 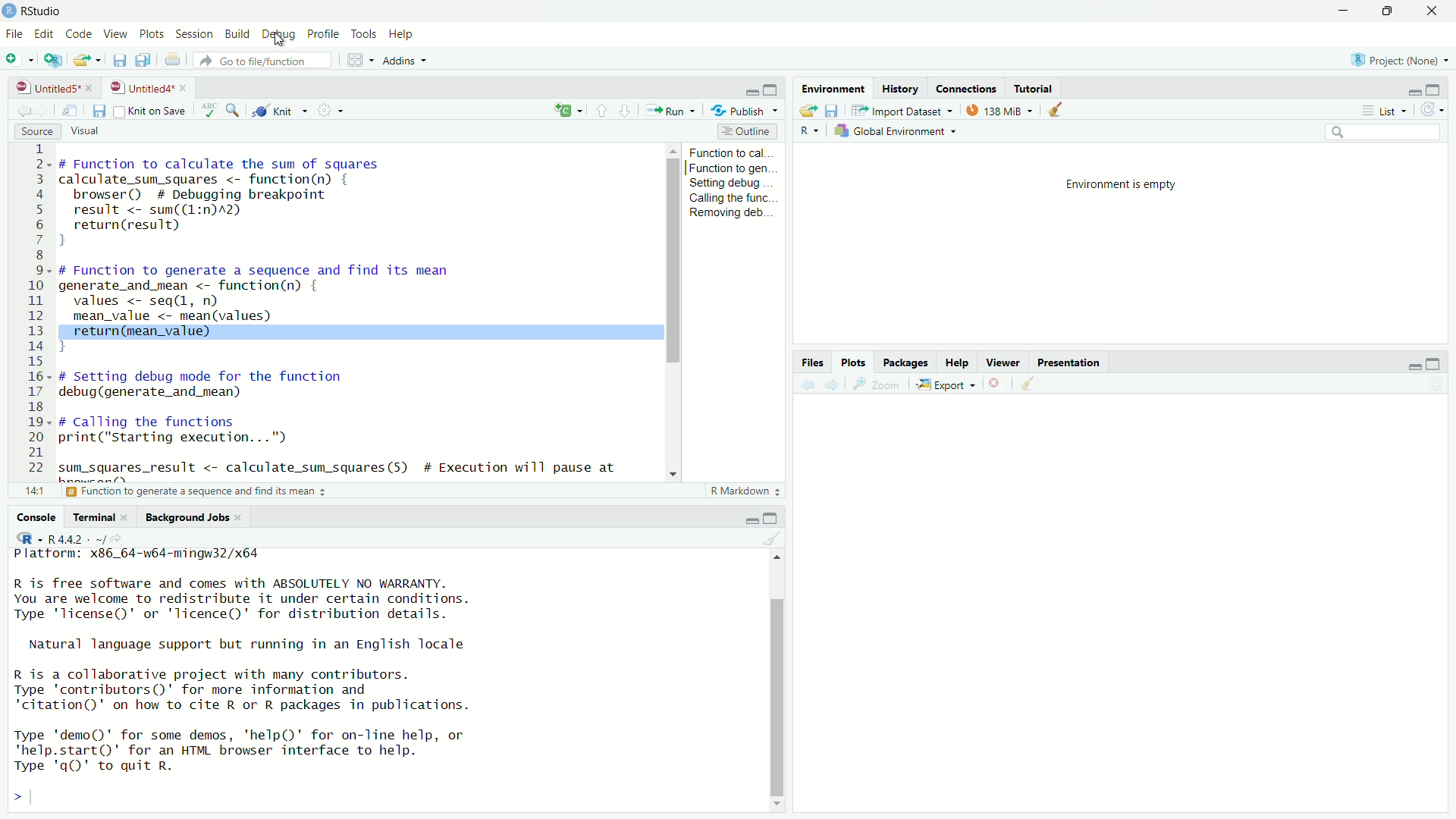 I want to click on code to get the result, so click(x=347, y=468).